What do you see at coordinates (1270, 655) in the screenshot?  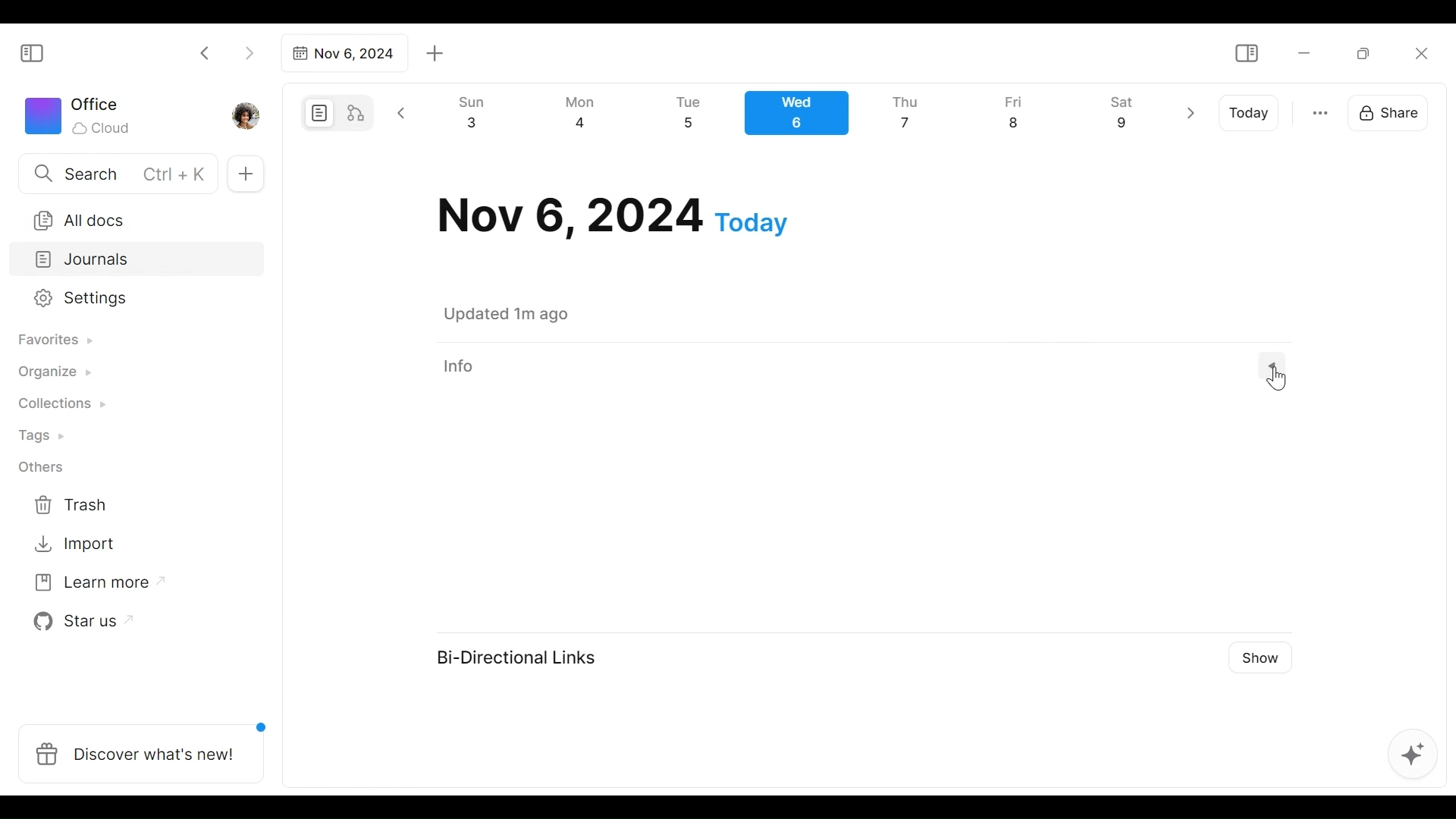 I see `Show` at bounding box center [1270, 655].